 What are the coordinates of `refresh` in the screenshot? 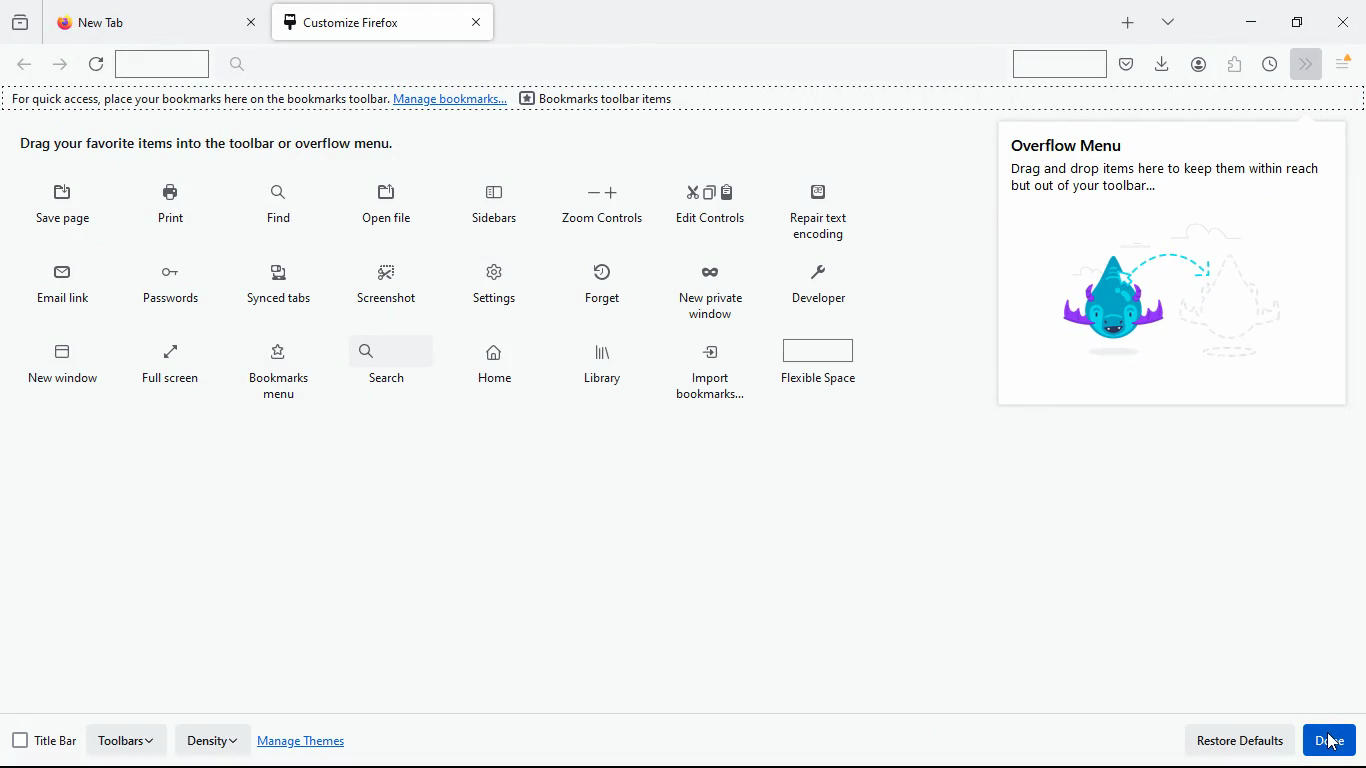 It's located at (96, 65).